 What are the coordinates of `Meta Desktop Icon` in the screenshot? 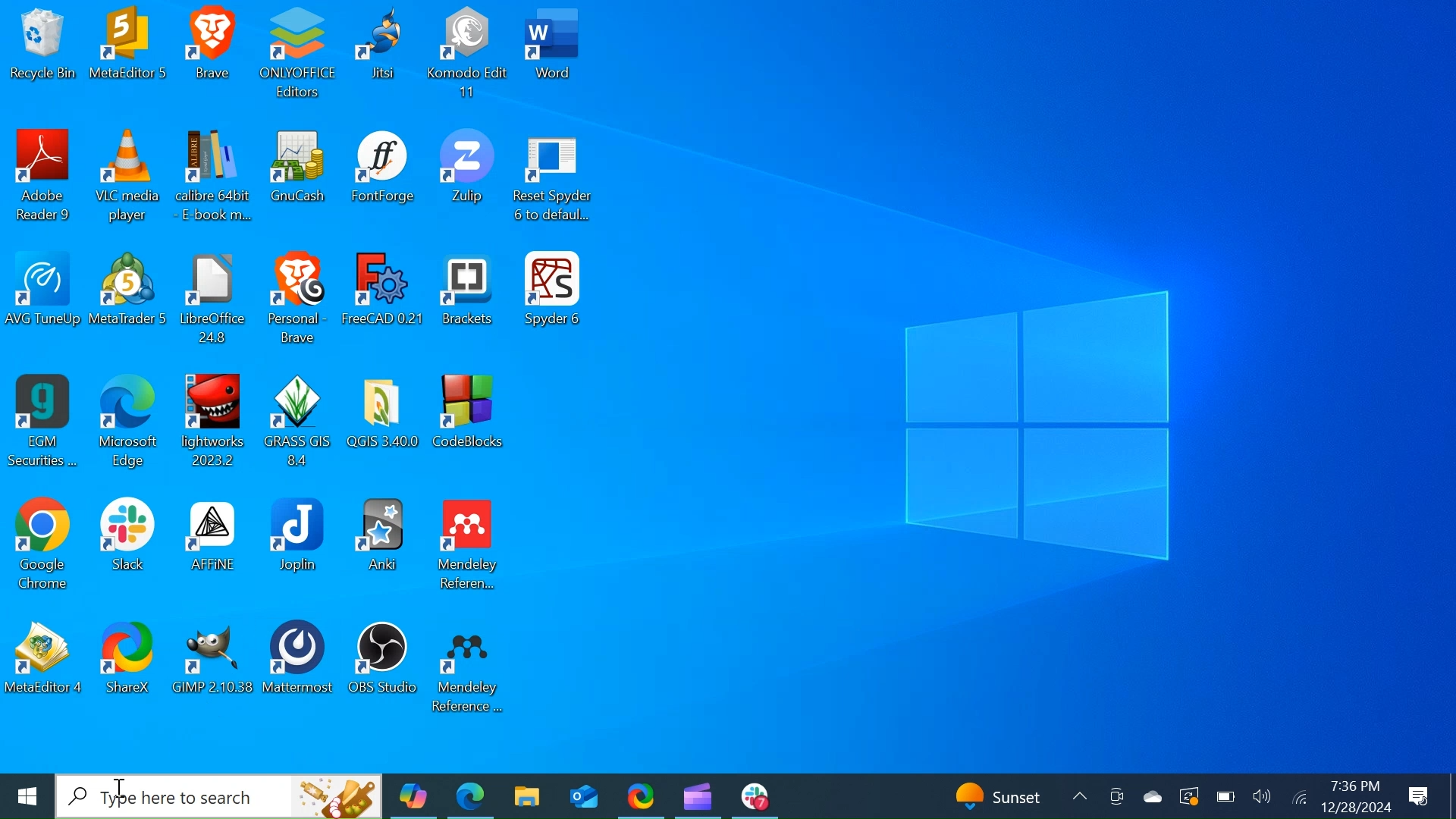 It's located at (44, 669).